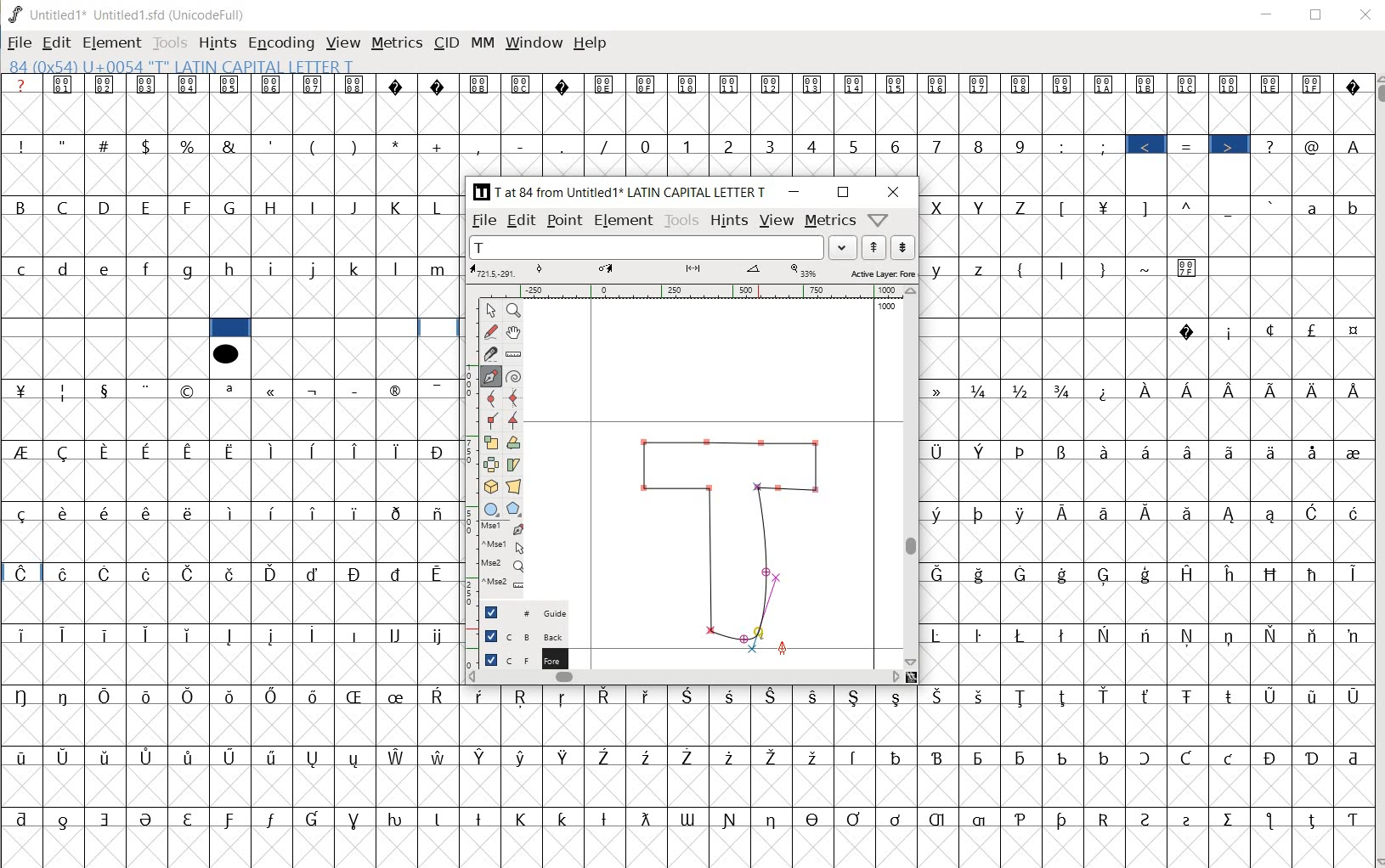  Describe the element at coordinates (1105, 634) in the screenshot. I see `Symbol` at that location.